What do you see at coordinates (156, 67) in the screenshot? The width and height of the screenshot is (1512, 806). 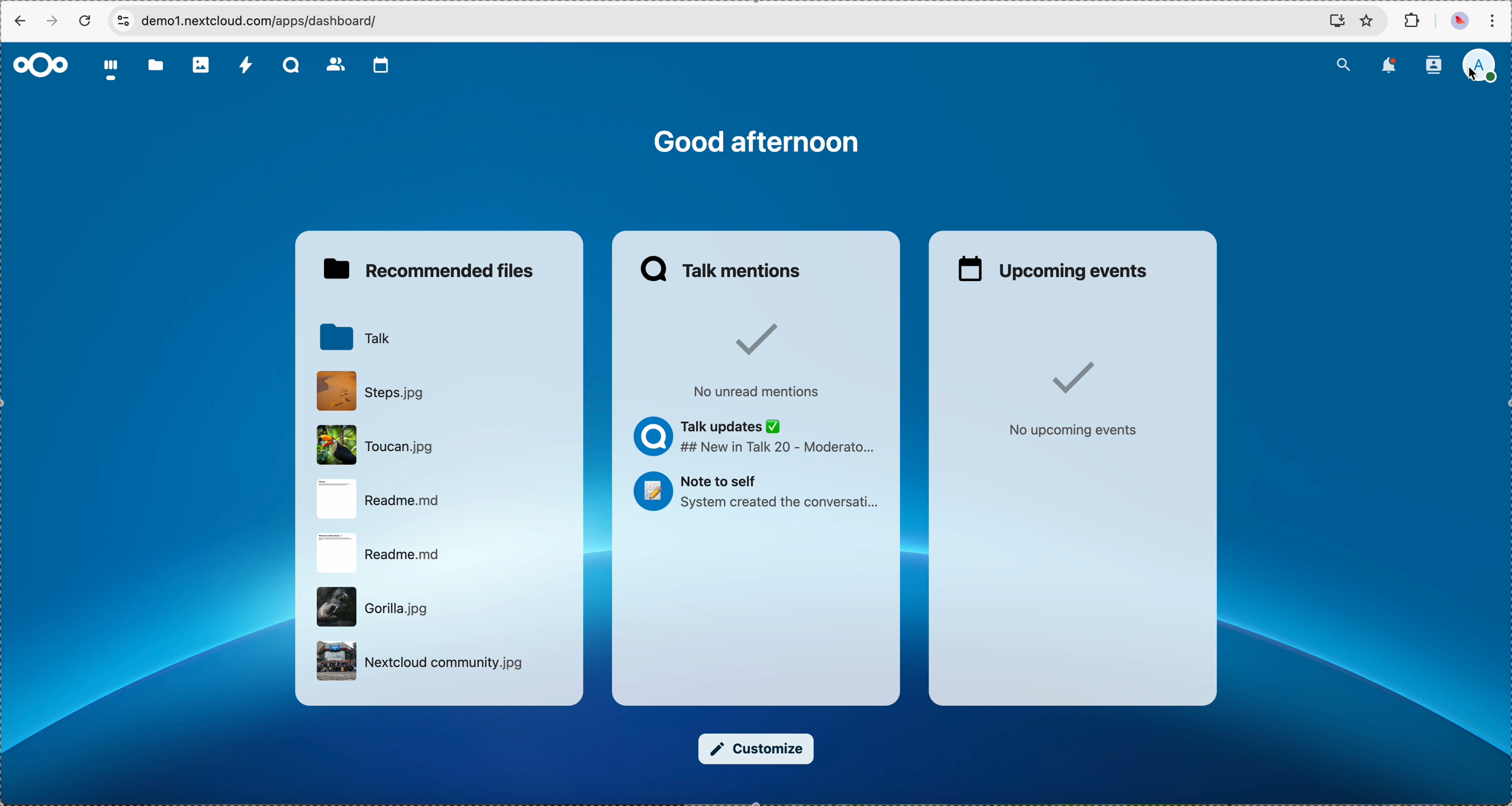 I see `files` at bounding box center [156, 67].